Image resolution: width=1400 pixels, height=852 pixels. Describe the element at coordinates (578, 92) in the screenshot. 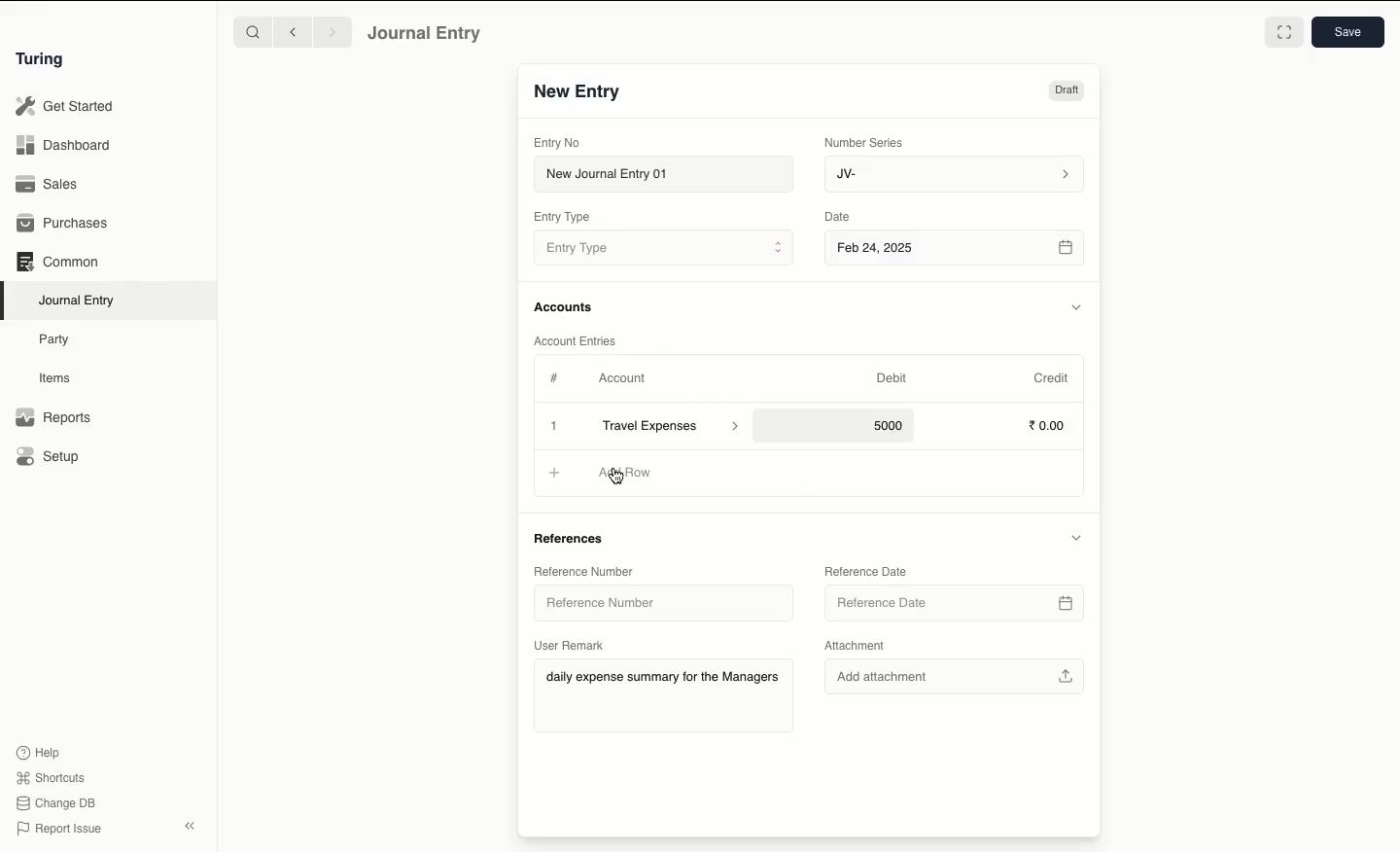

I see `New Entry` at that location.